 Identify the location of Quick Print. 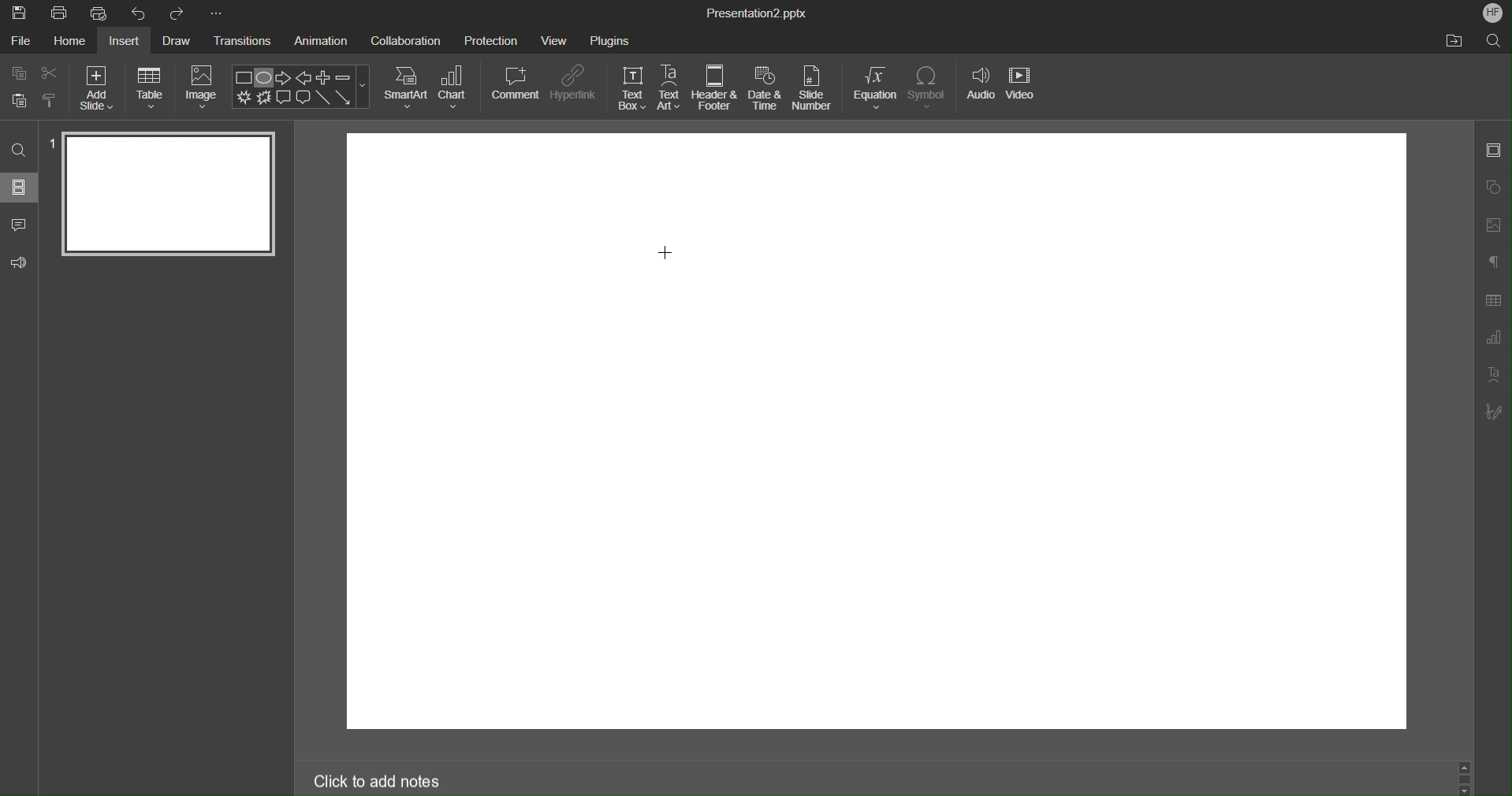
(103, 14).